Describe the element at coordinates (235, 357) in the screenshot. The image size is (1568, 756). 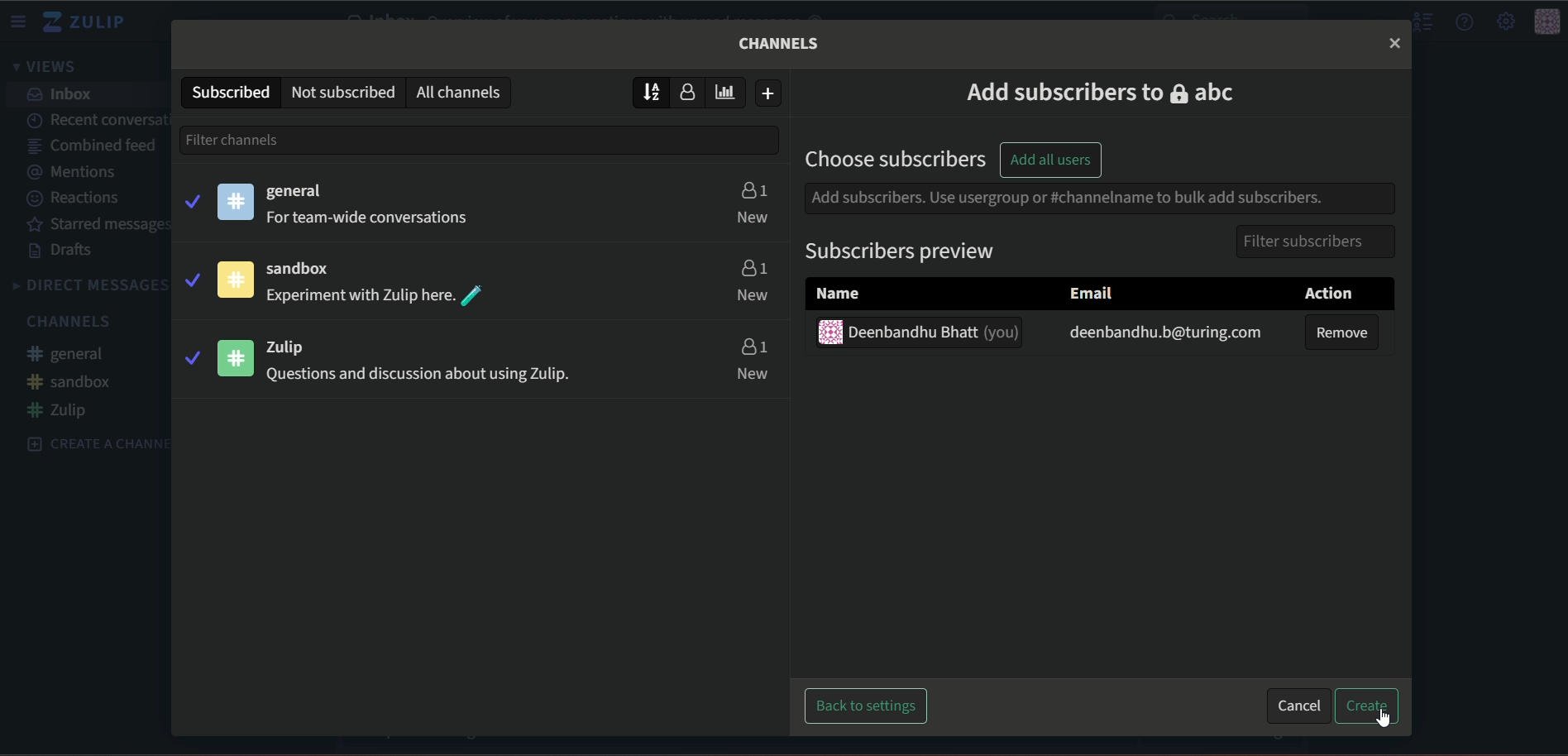
I see `icon` at that location.